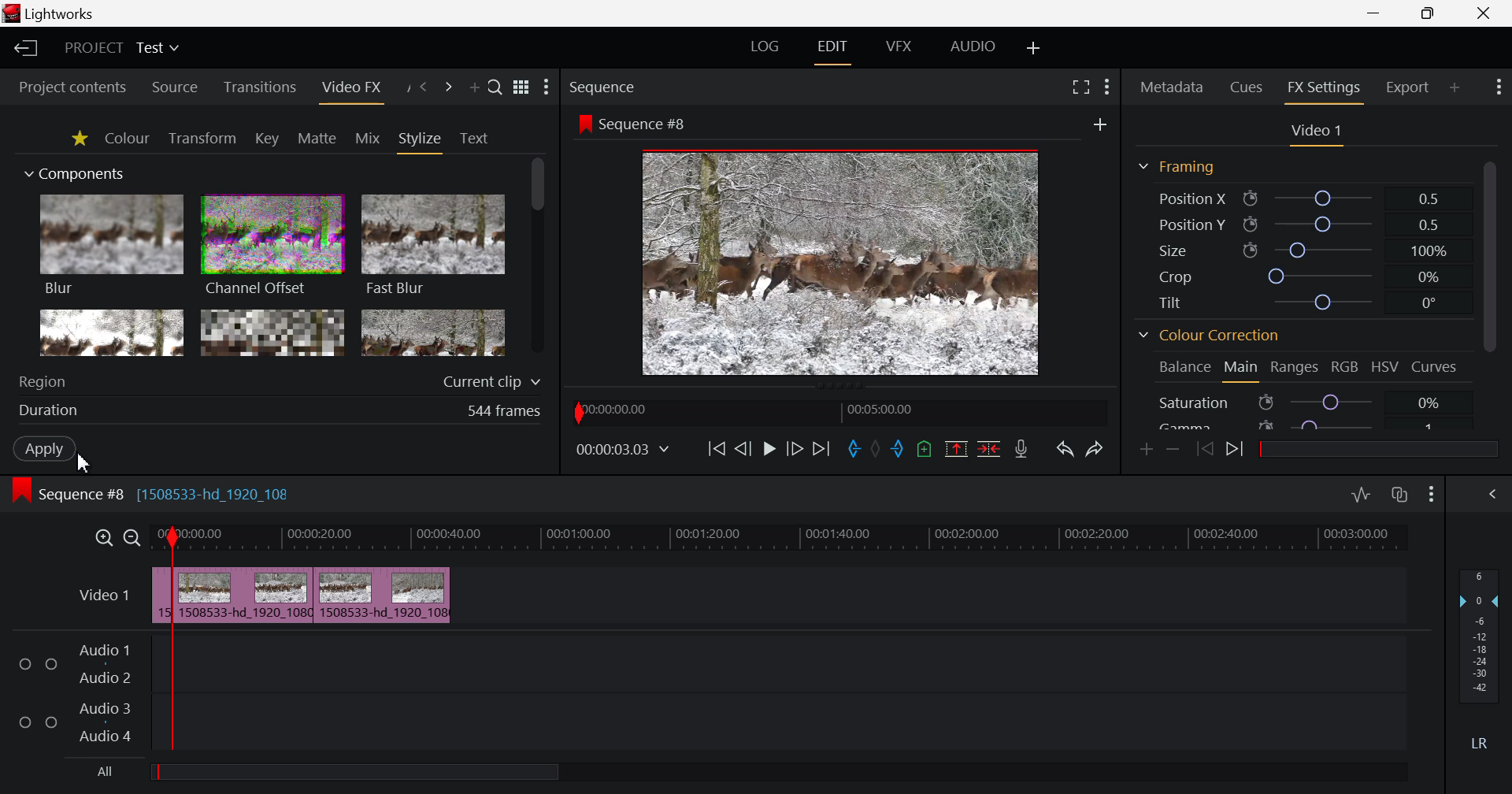 This screenshot has height=794, width=1512. Describe the element at coordinates (1376, 13) in the screenshot. I see `Restore Down` at that location.